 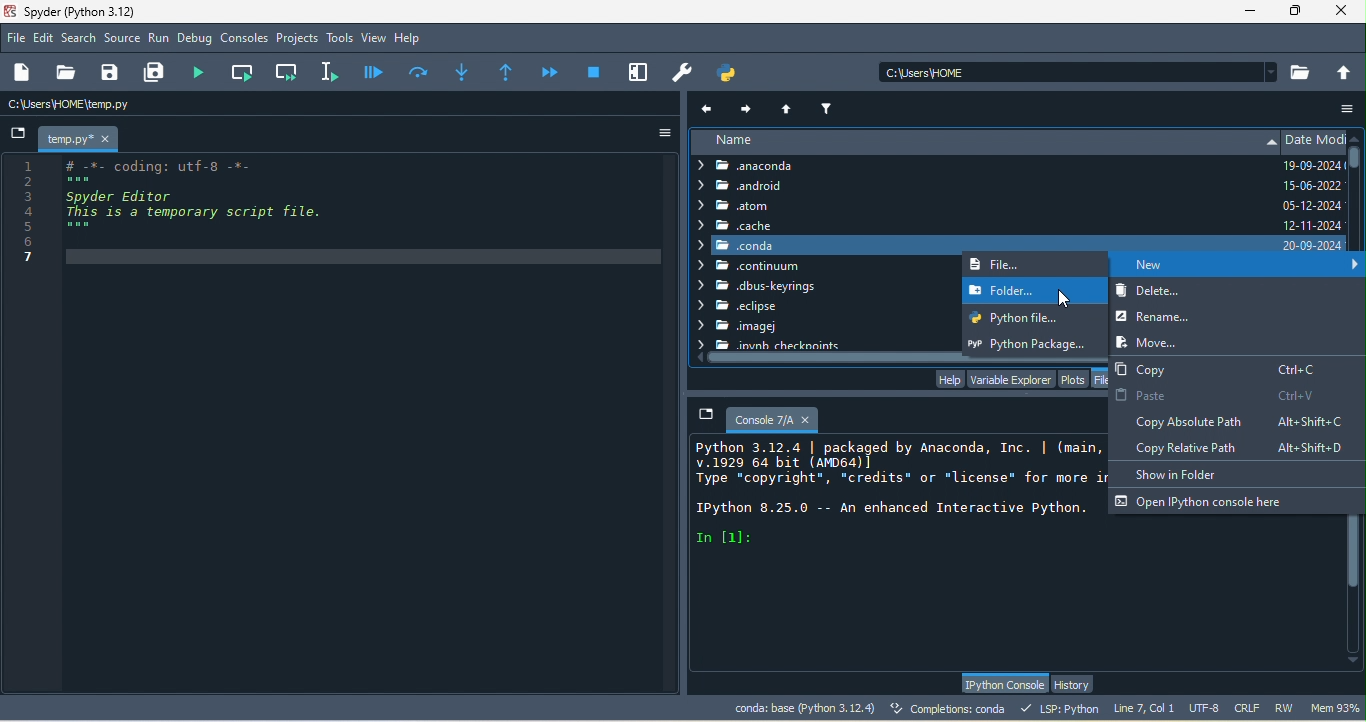 What do you see at coordinates (245, 72) in the screenshot?
I see `run current cell` at bounding box center [245, 72].